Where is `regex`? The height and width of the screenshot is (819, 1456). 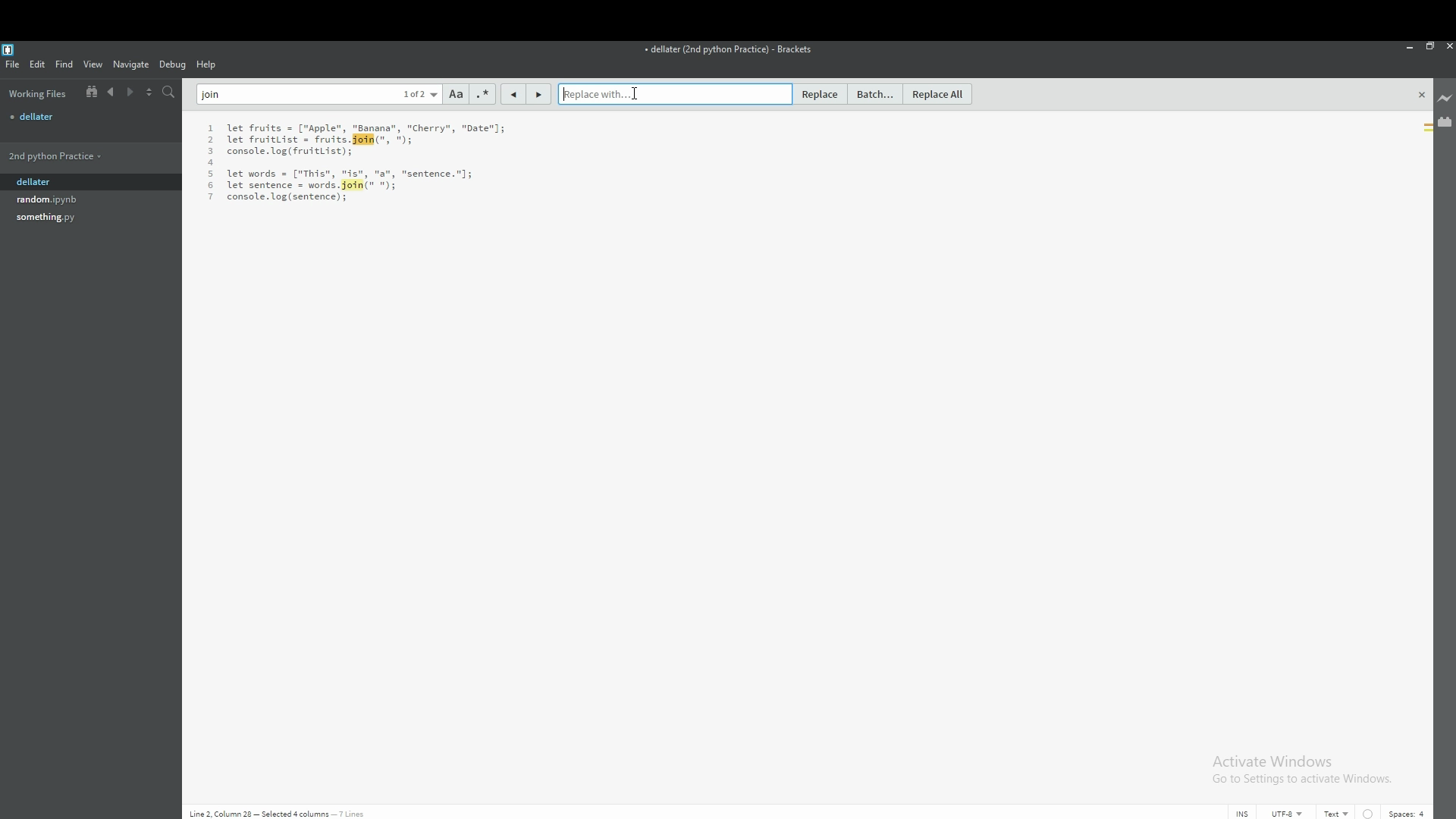 regex is located at coordinates (482, 94).